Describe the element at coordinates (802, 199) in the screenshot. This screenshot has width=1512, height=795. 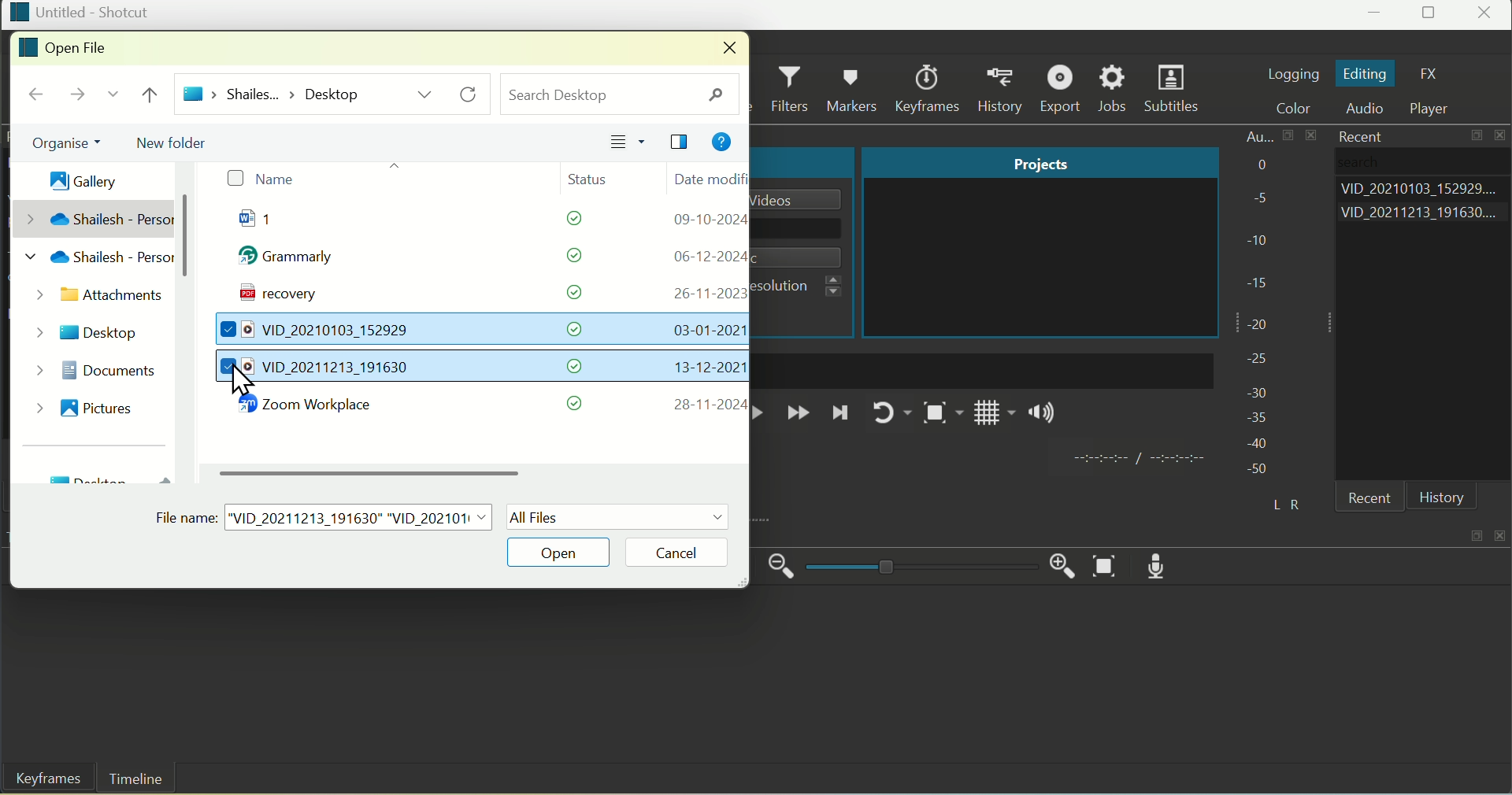
I see `Name of file` at that location.